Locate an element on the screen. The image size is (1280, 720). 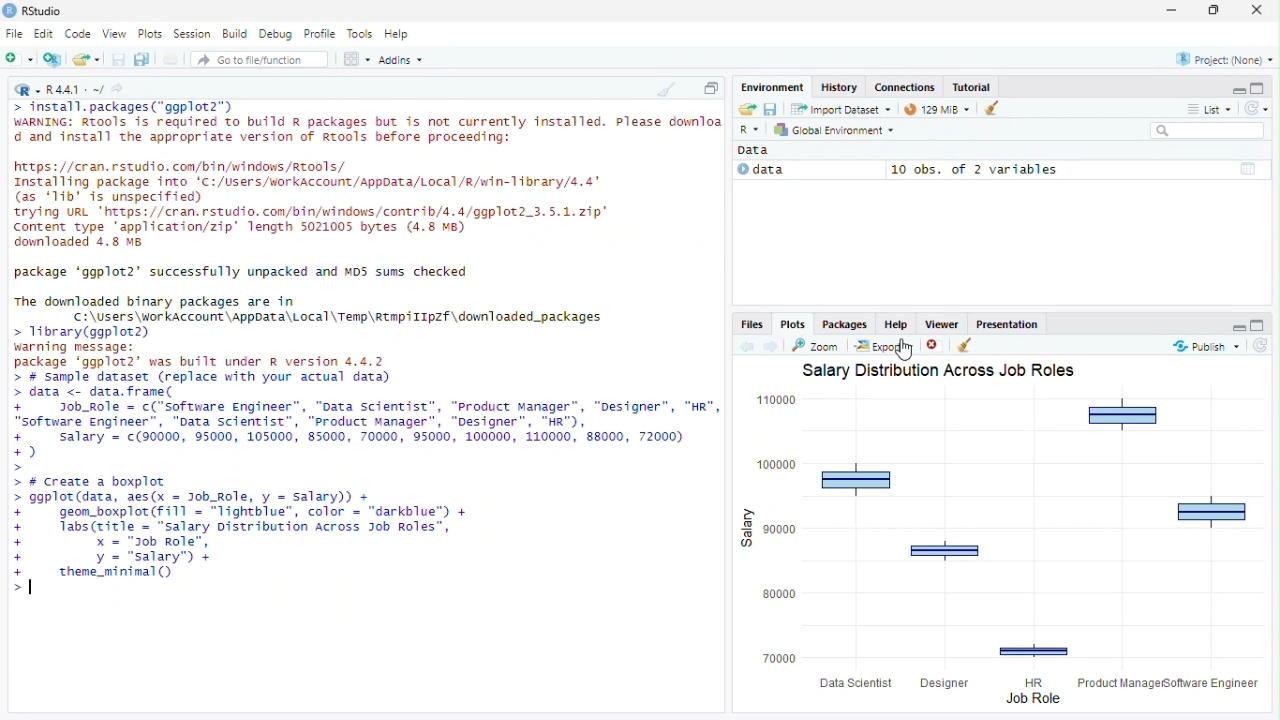
maximize is located at coordinates (1261, 325).